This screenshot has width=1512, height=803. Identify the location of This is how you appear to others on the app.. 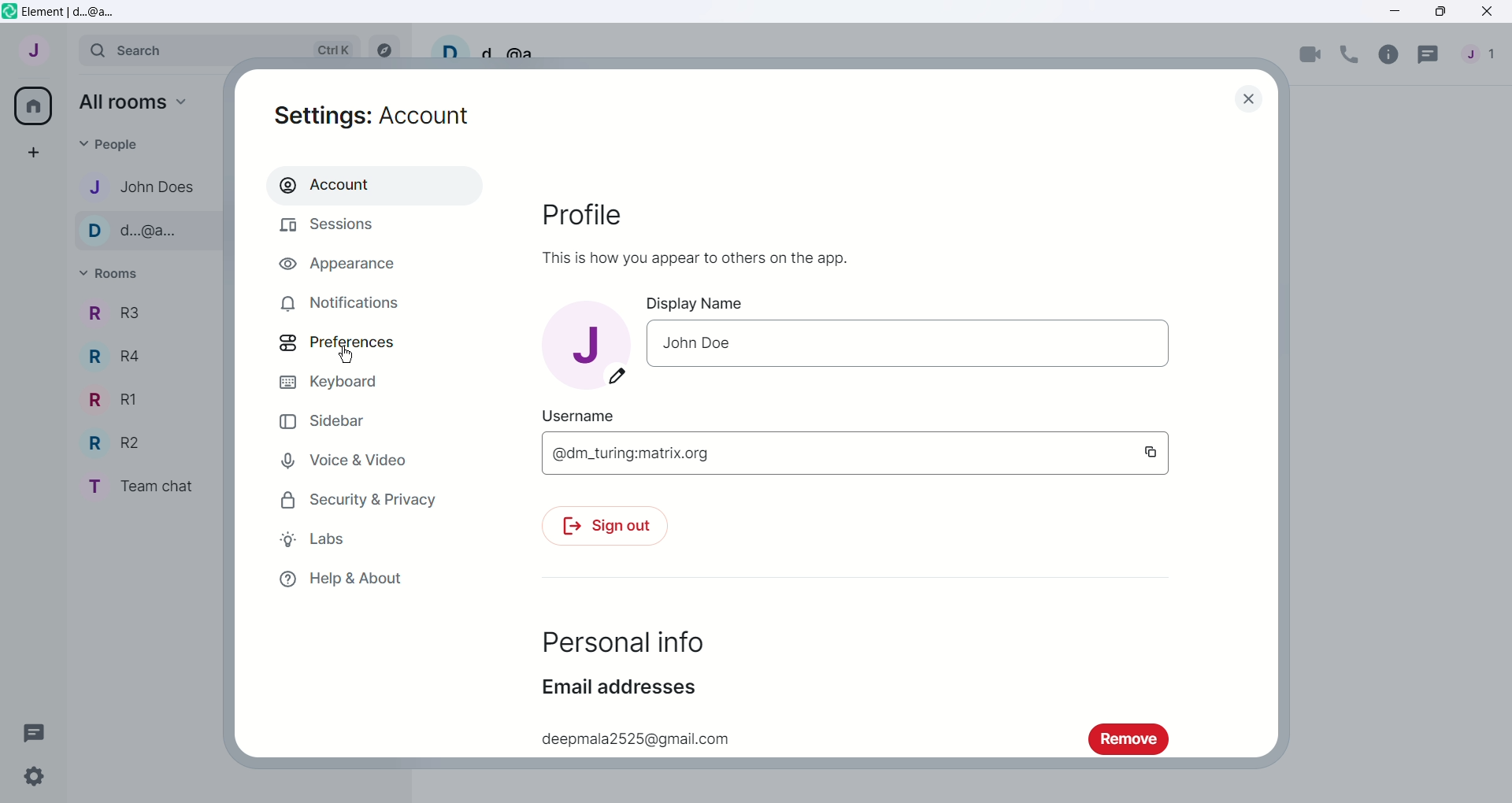
(695, 257).